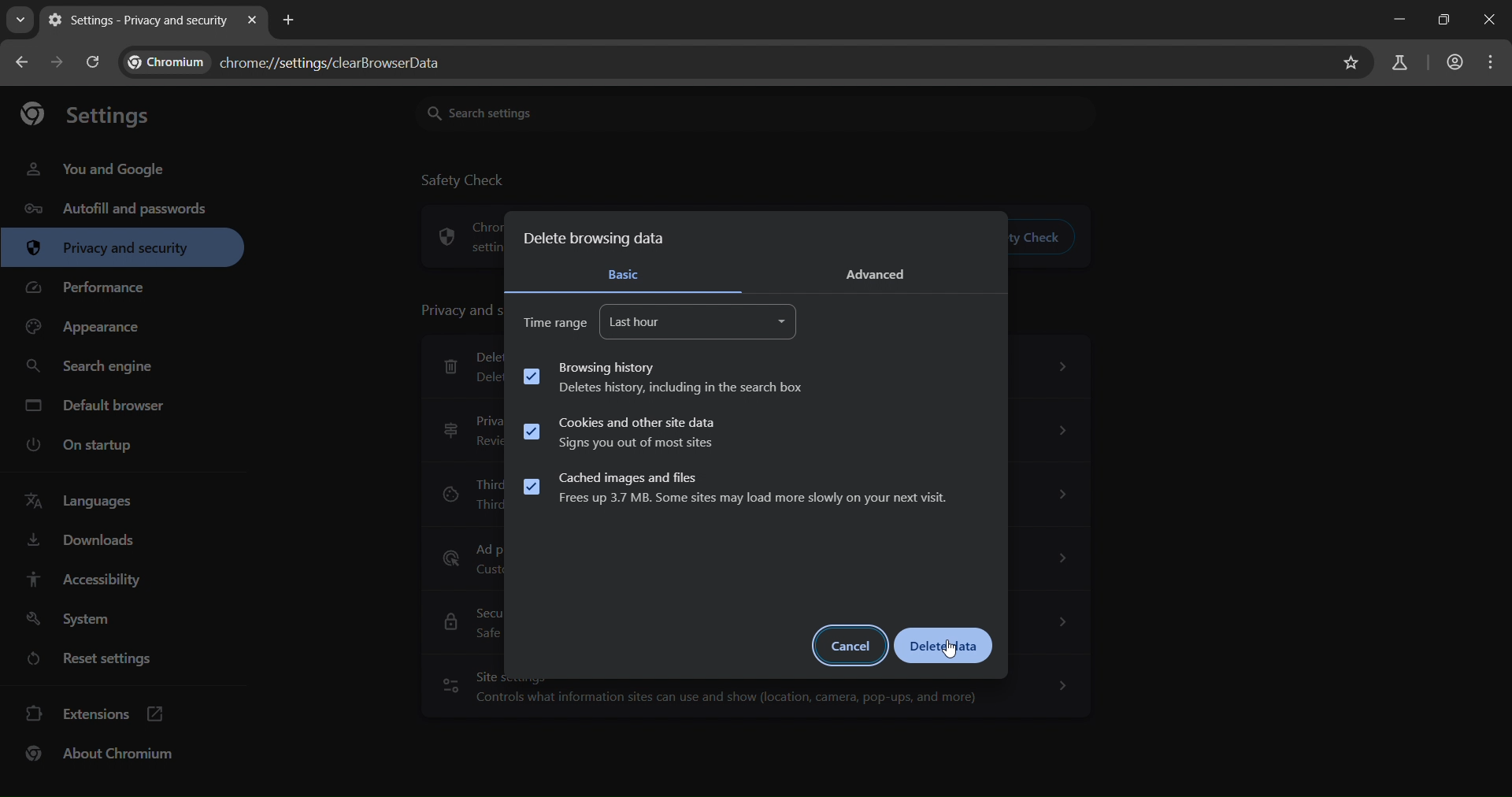  Describe the element at coordinates (625, 275) in the screenshot. I see `basic` at that location.